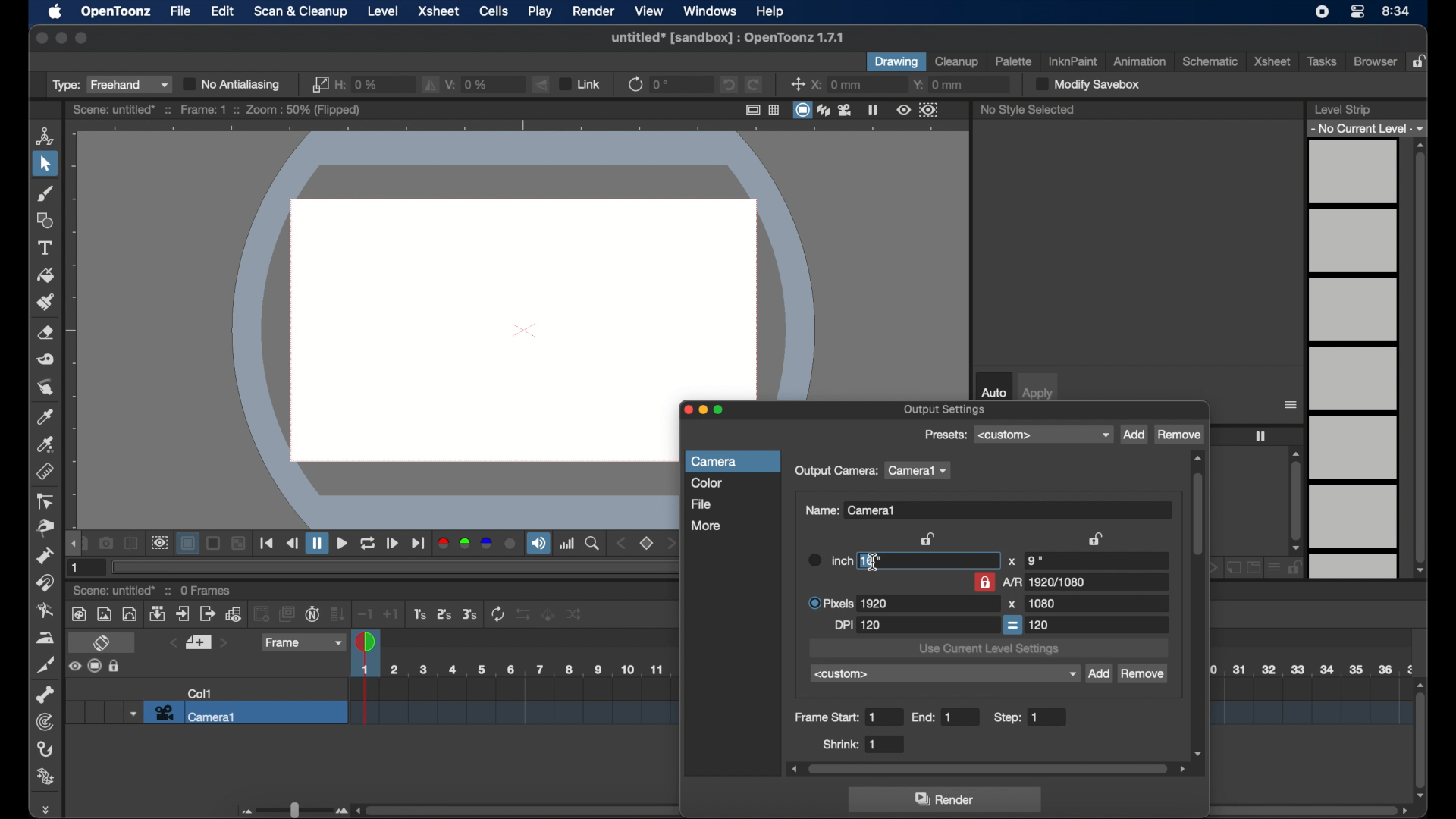 The height and width of the screenshot is (819, 1456). What do you see at coordinates (703, 411) in the screenshot?
I see `minimize` at bounding box center [703, 411].